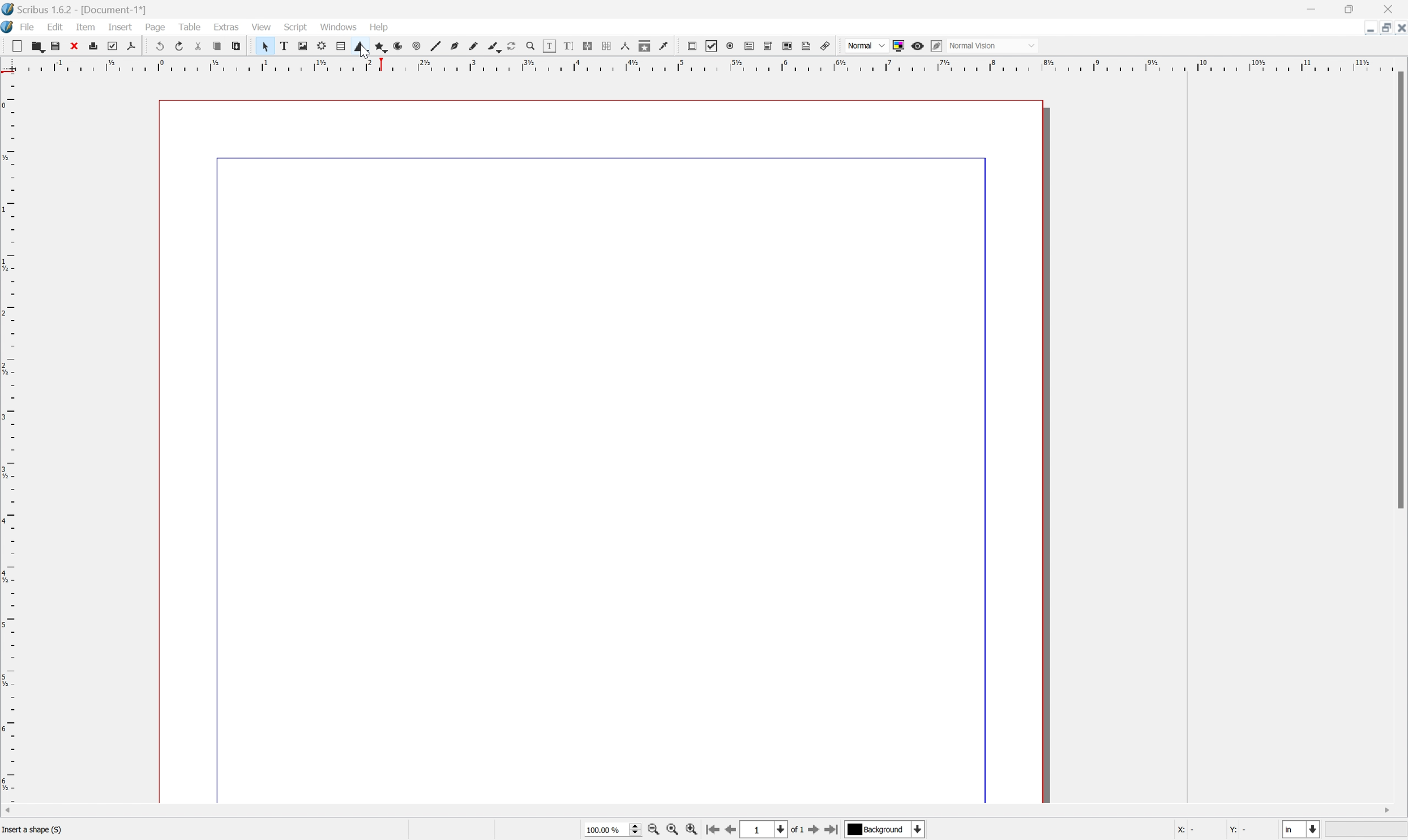  I want to click on Save as PDF, so click(131, 48).